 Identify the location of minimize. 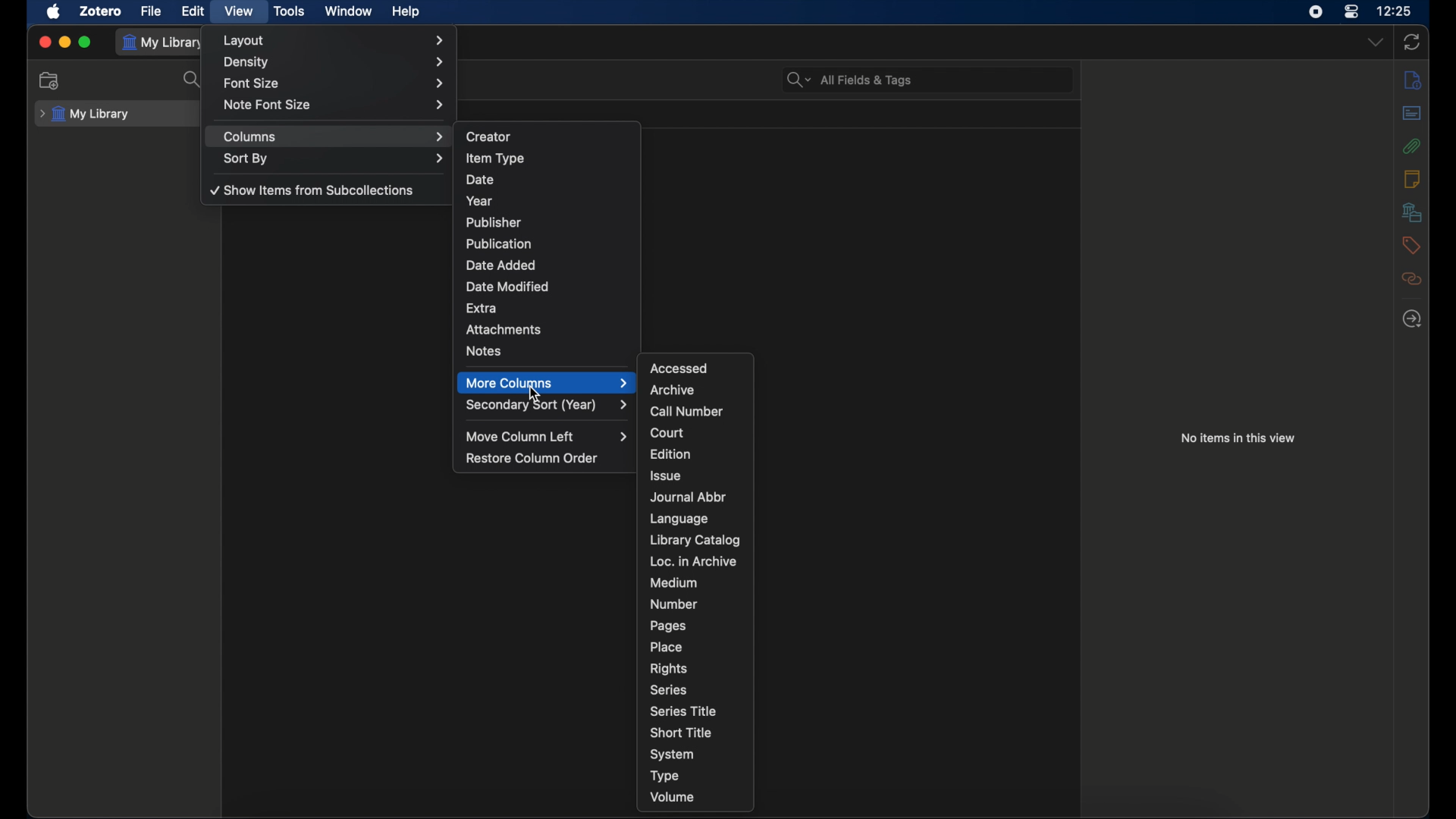
(64, 42).